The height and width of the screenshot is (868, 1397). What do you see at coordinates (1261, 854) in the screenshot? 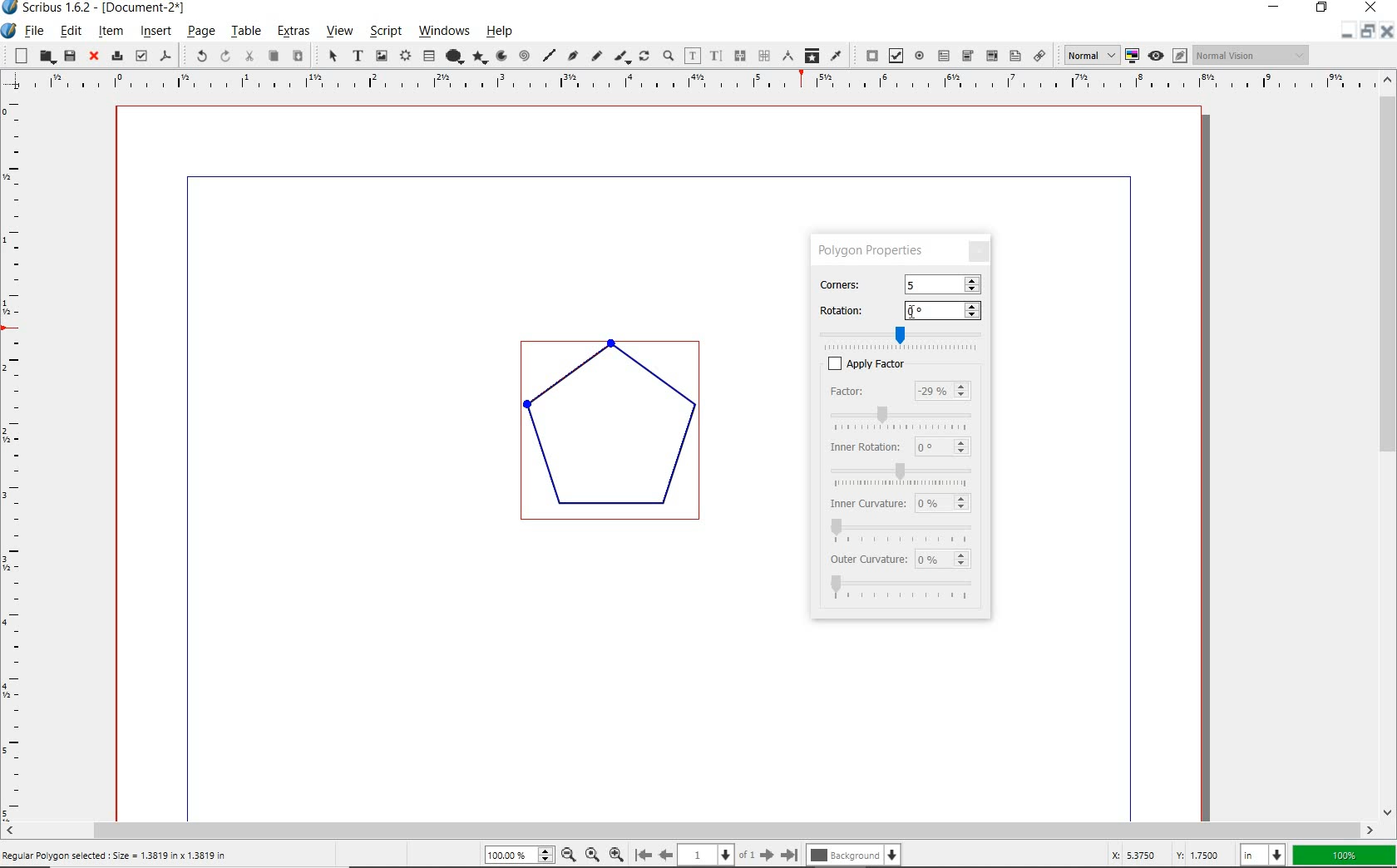
I see `select unit` at bounding box center [1261, 854].